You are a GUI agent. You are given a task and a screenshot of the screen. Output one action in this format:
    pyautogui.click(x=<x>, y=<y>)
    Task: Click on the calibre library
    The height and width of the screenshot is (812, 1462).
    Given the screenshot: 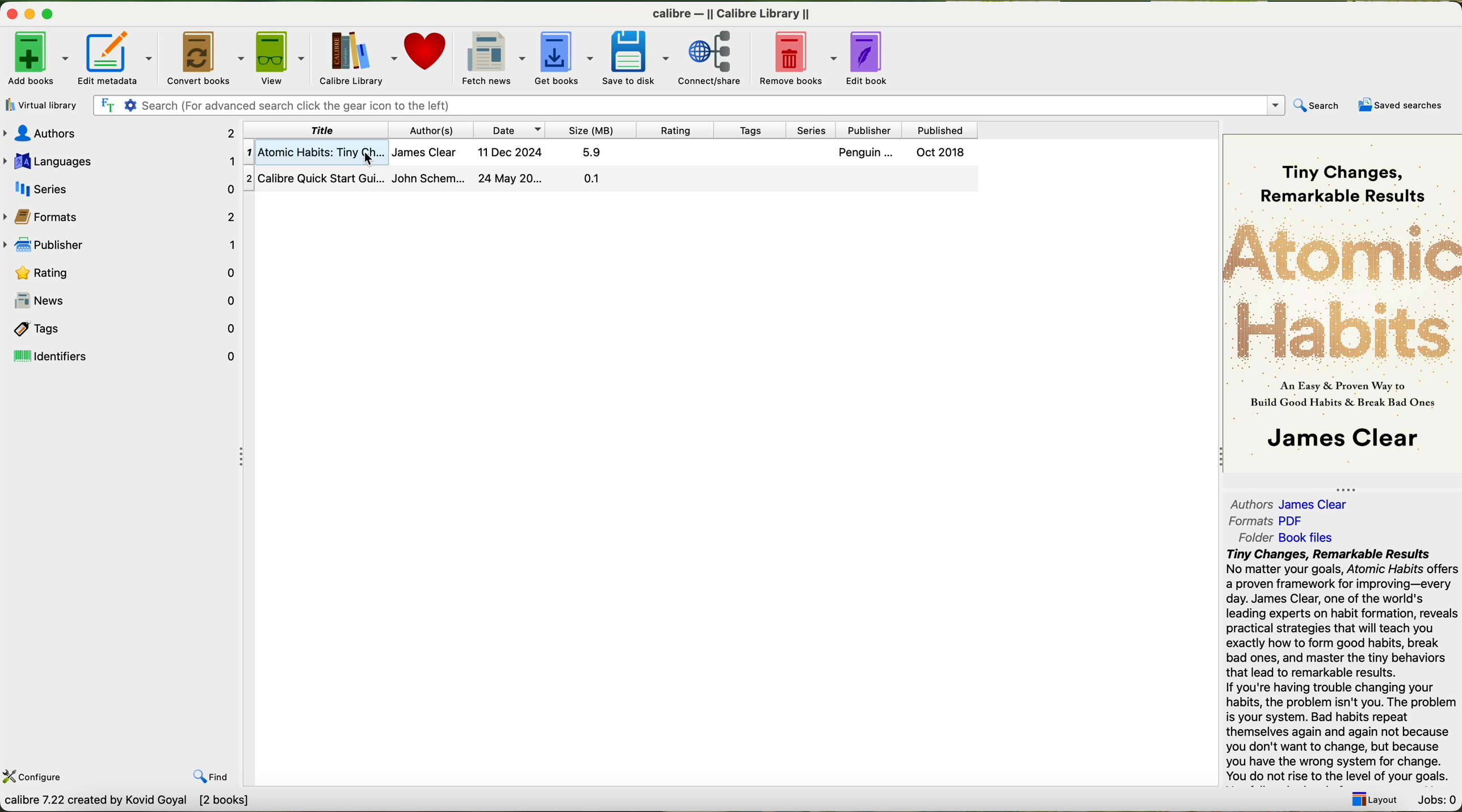 What is the action you would take?
    pyautogui.click(x=356, y=57)
    